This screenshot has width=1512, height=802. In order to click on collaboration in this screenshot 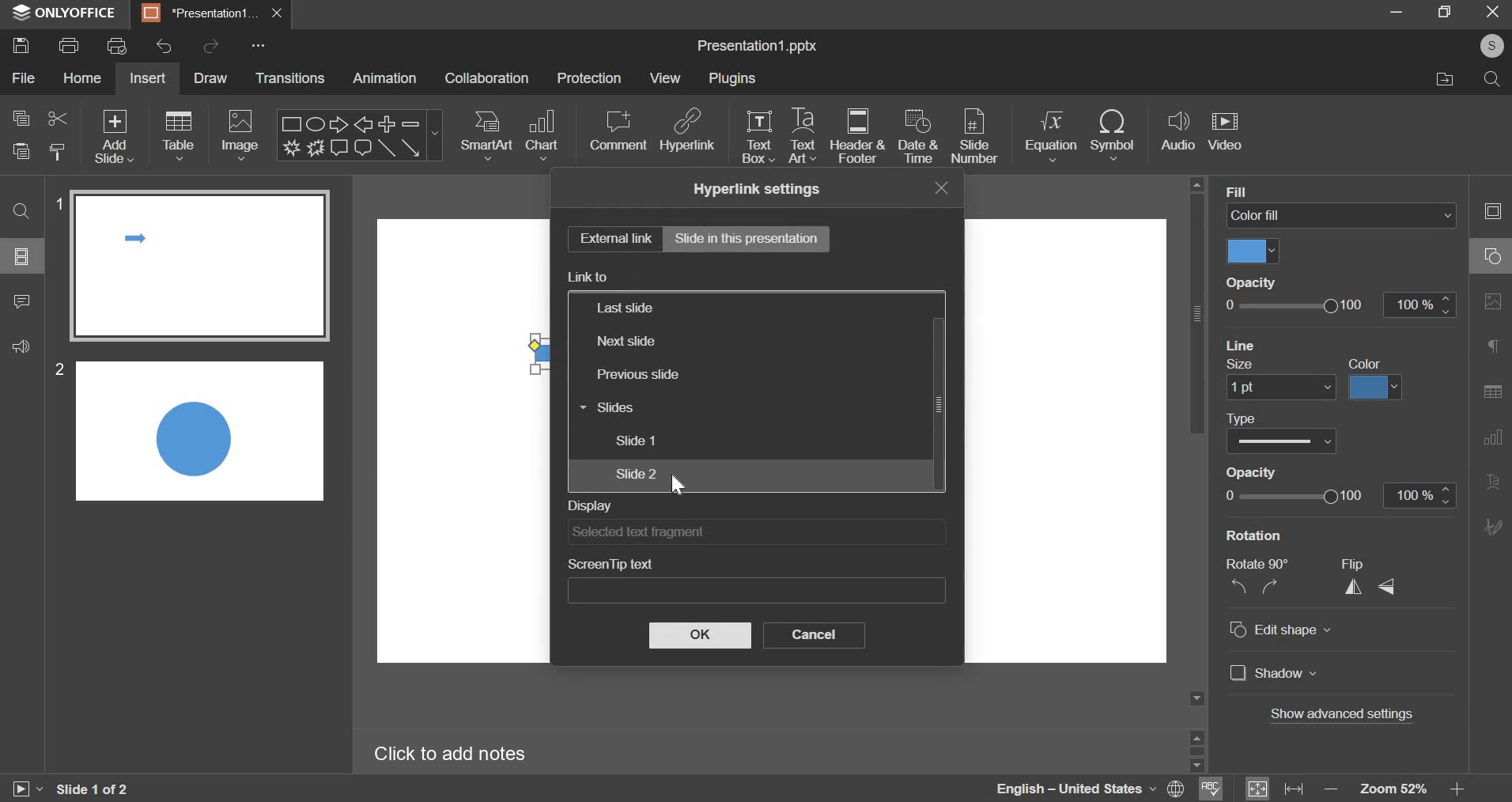, I will do `click(487, 78)`.